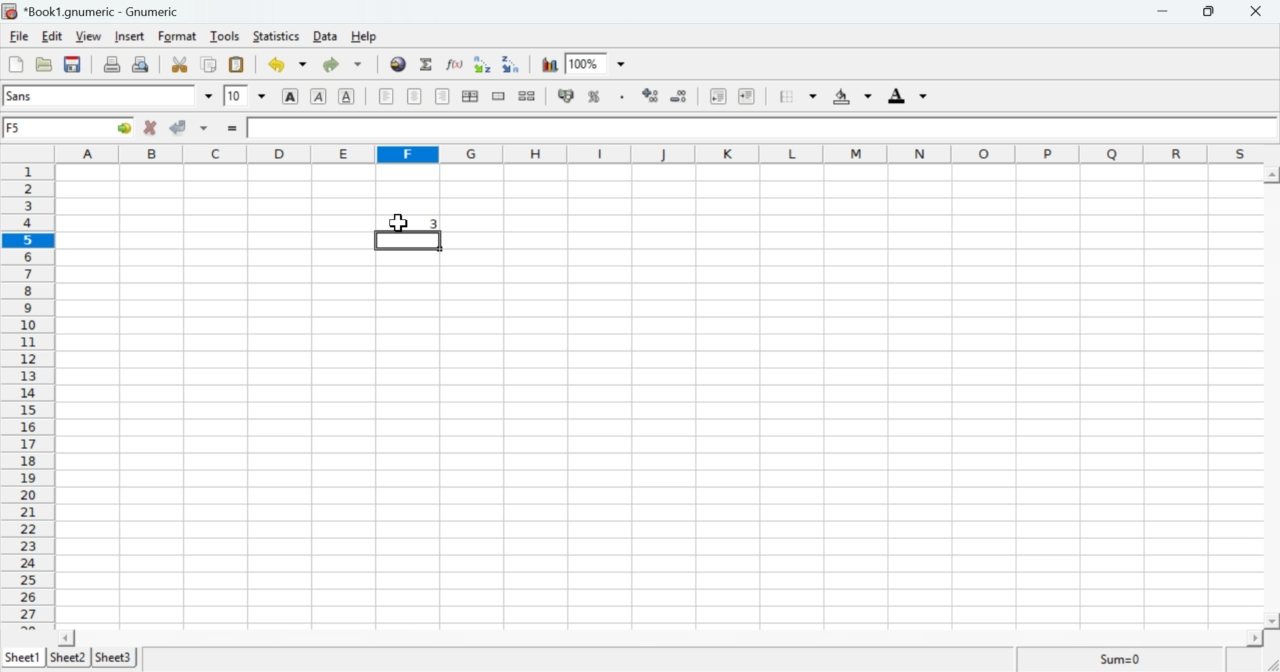  I want to click on Border, so click(790, 95).